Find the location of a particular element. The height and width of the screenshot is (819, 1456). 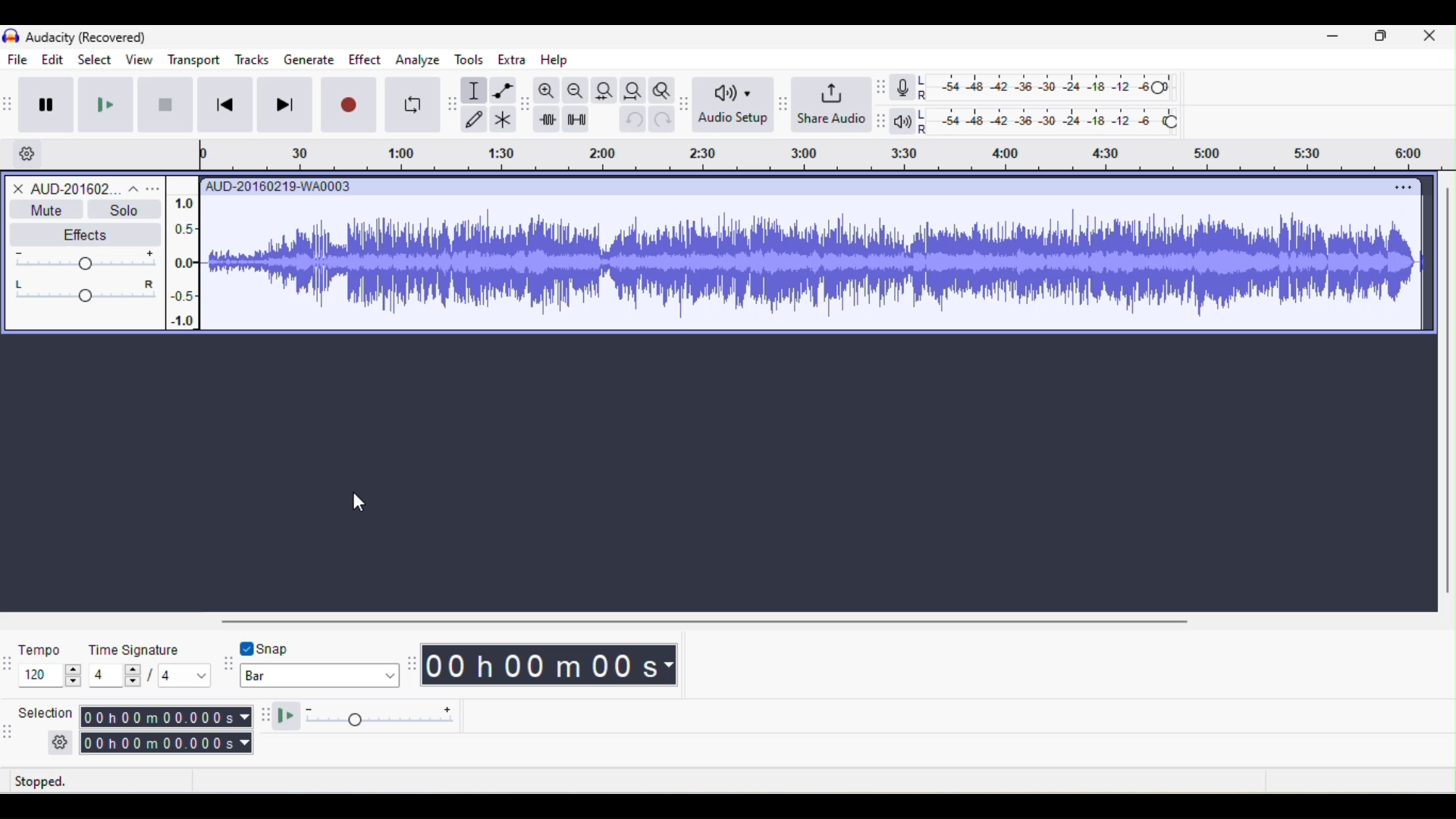

transport is located at coordinates (193, 60).